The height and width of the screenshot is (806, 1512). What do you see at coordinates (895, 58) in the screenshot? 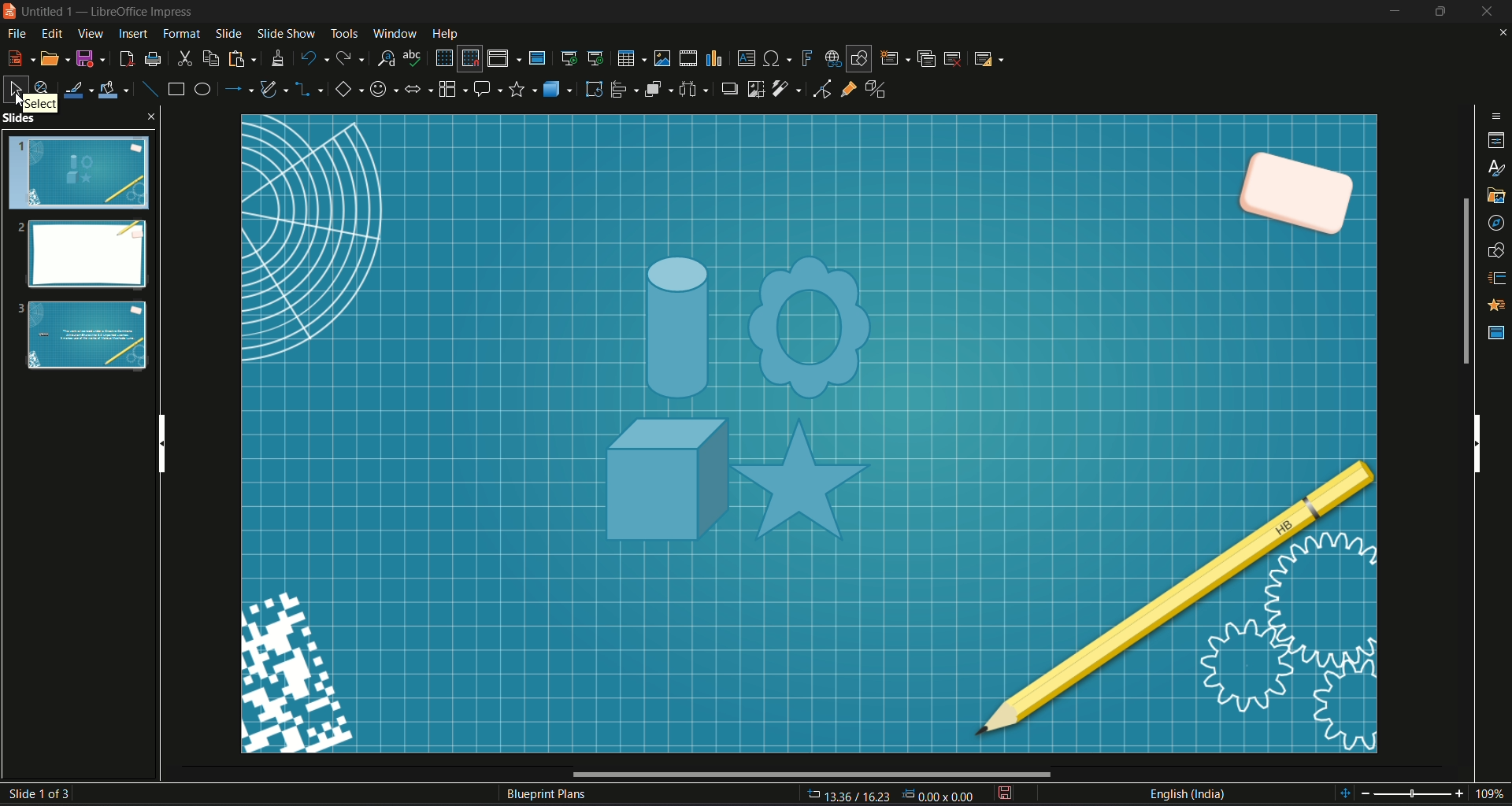
I see `new slide` at bounding box center [895, 58].